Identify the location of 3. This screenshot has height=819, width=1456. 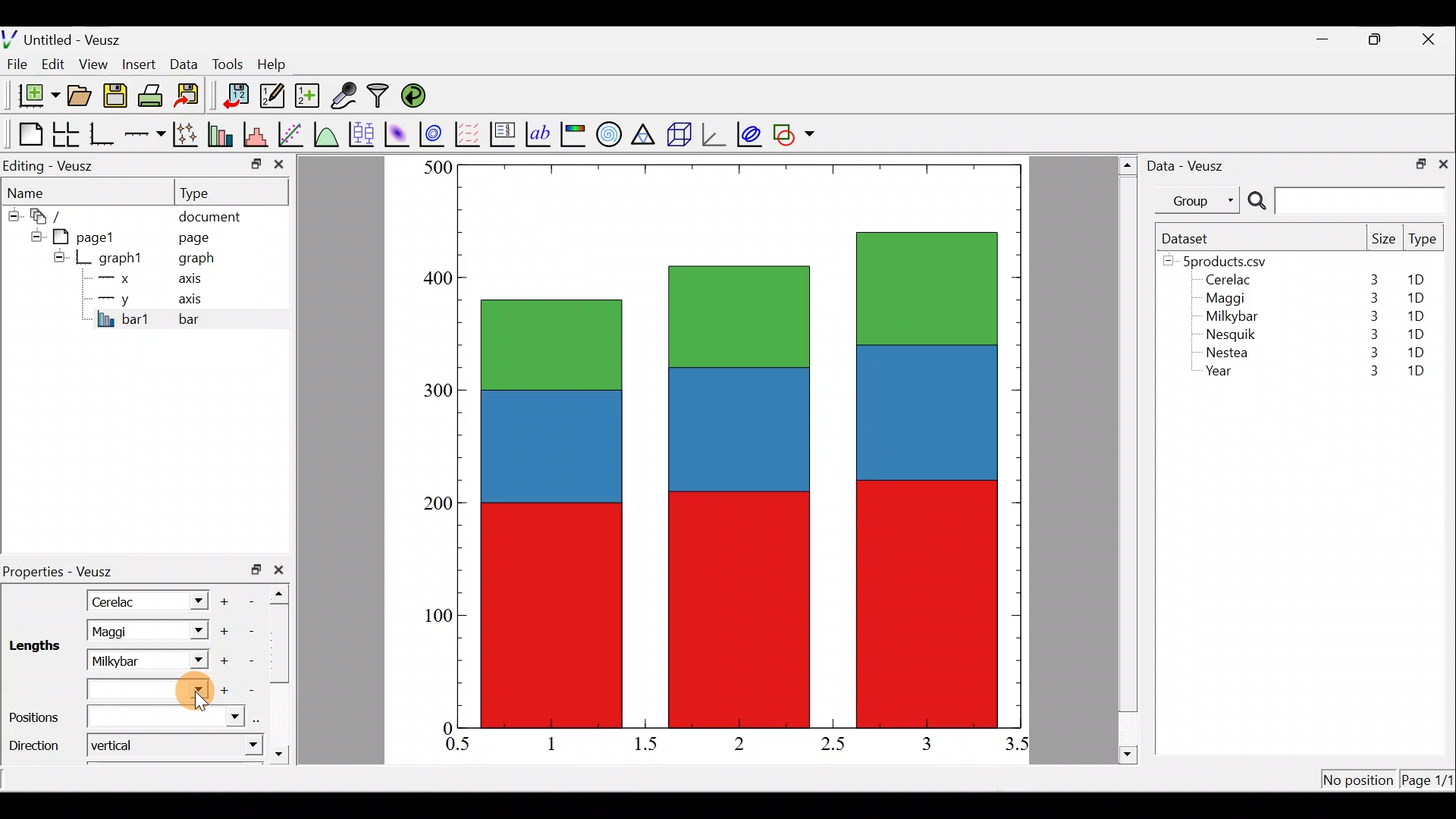
(925, 743).